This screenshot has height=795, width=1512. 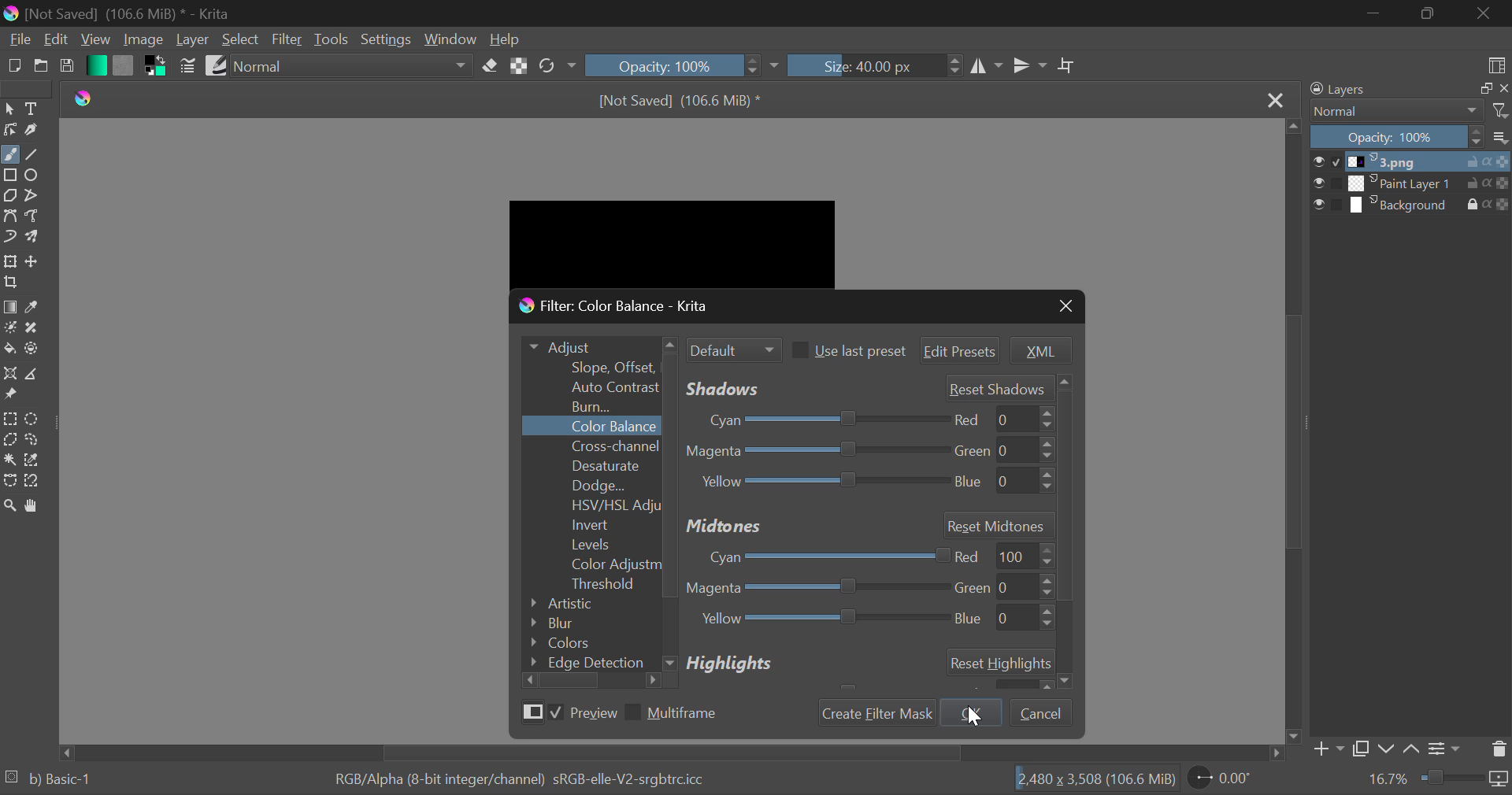 I want to click on Line, so click(x=35, y=155).